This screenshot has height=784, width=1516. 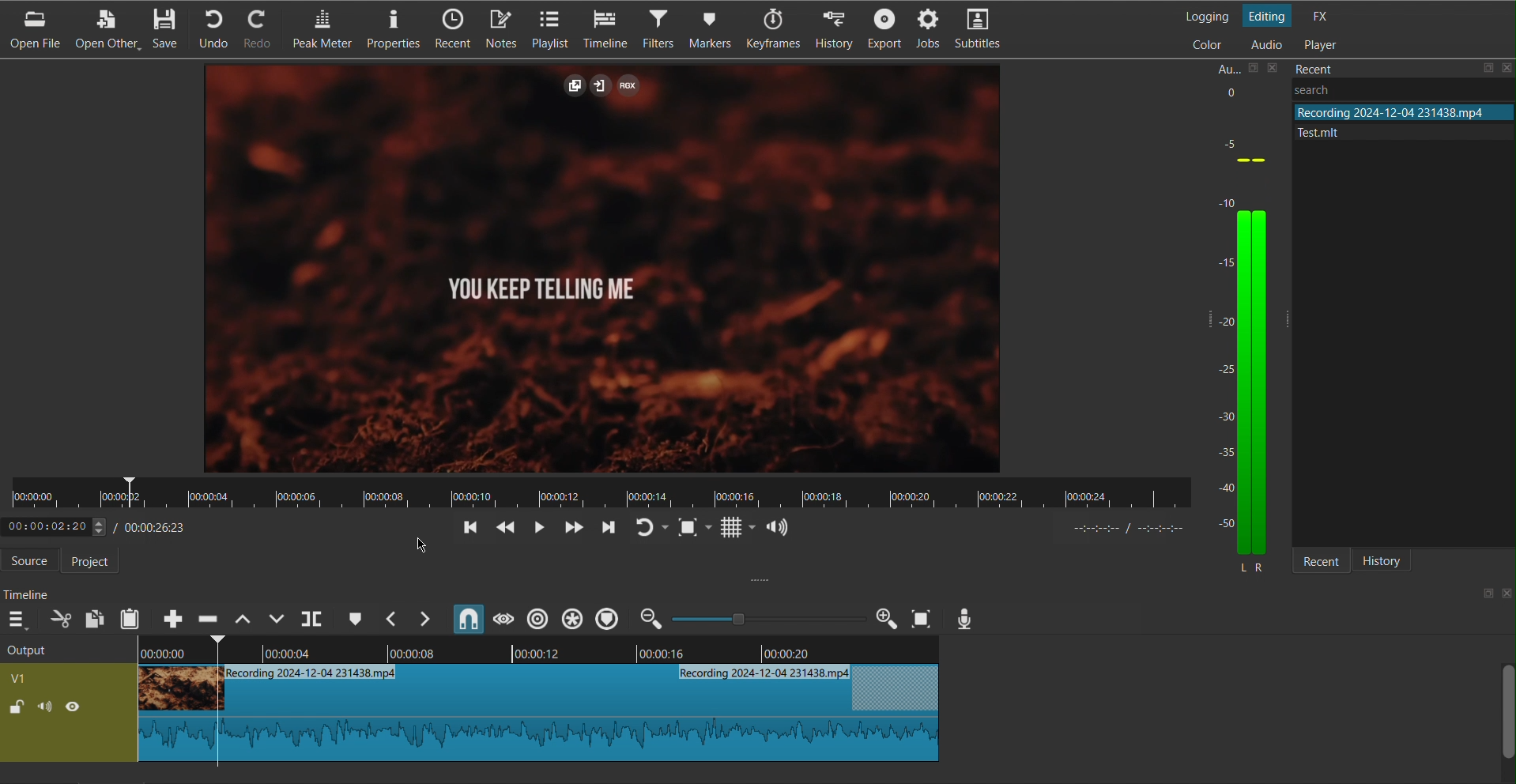 I want to click on Skip Back, so click(x=507, y=529).